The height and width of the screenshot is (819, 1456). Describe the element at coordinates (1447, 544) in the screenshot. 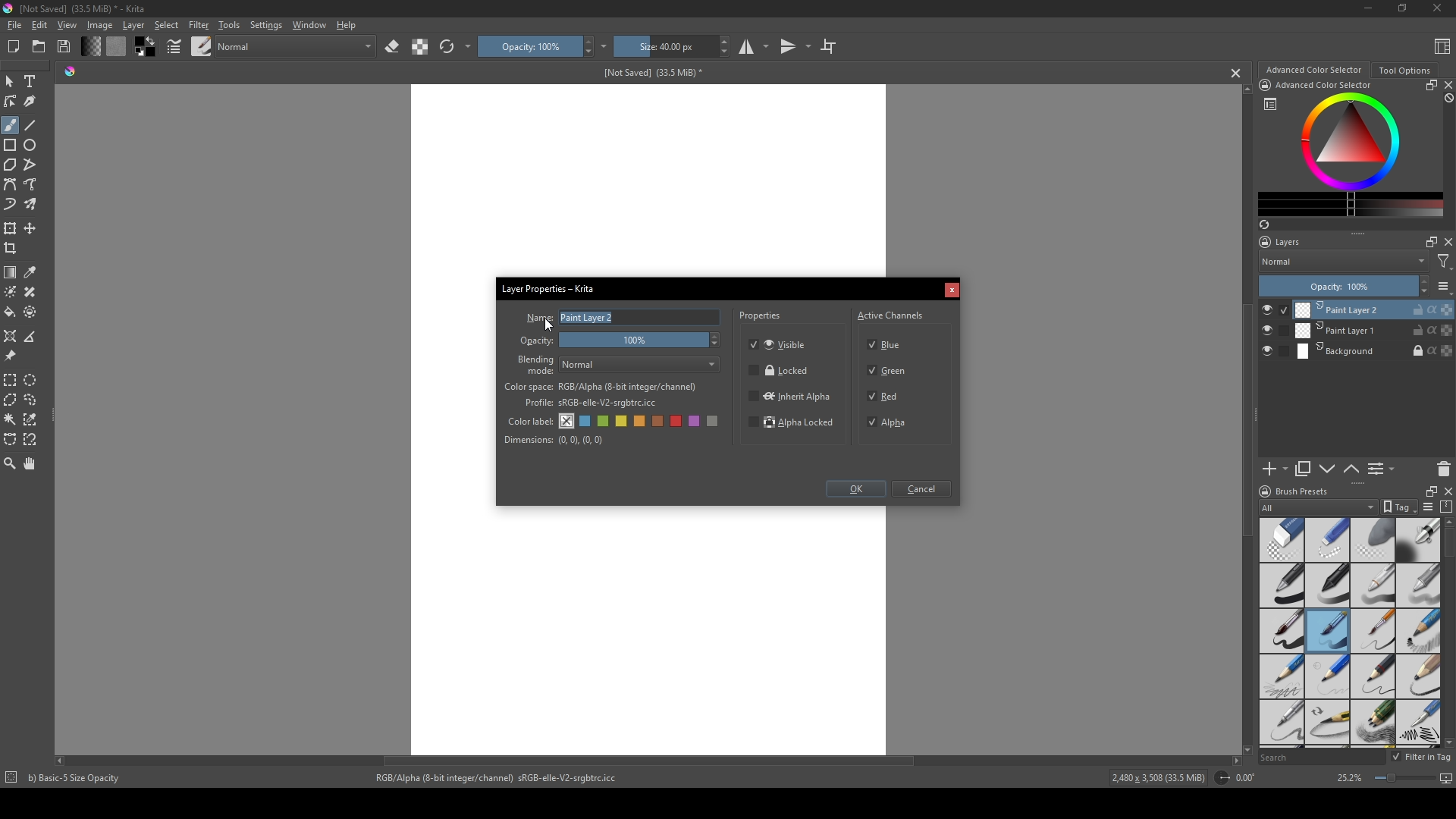

I see `scroll bar` at that location.